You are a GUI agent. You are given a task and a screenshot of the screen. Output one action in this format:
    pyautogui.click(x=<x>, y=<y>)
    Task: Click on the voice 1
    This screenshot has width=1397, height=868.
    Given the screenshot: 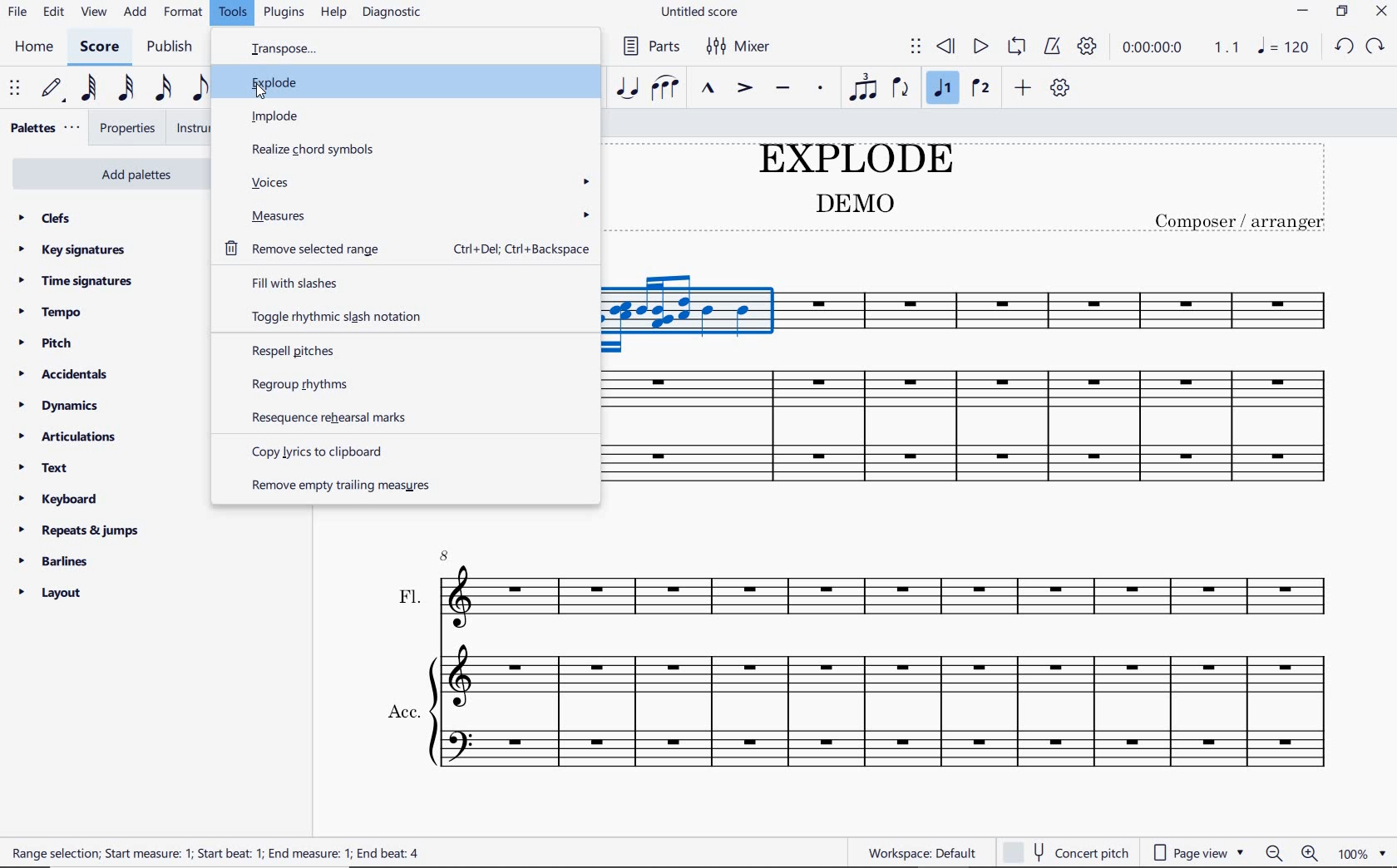 What is the action you would take?
    pyautogui.click(x=943, y=89)
    